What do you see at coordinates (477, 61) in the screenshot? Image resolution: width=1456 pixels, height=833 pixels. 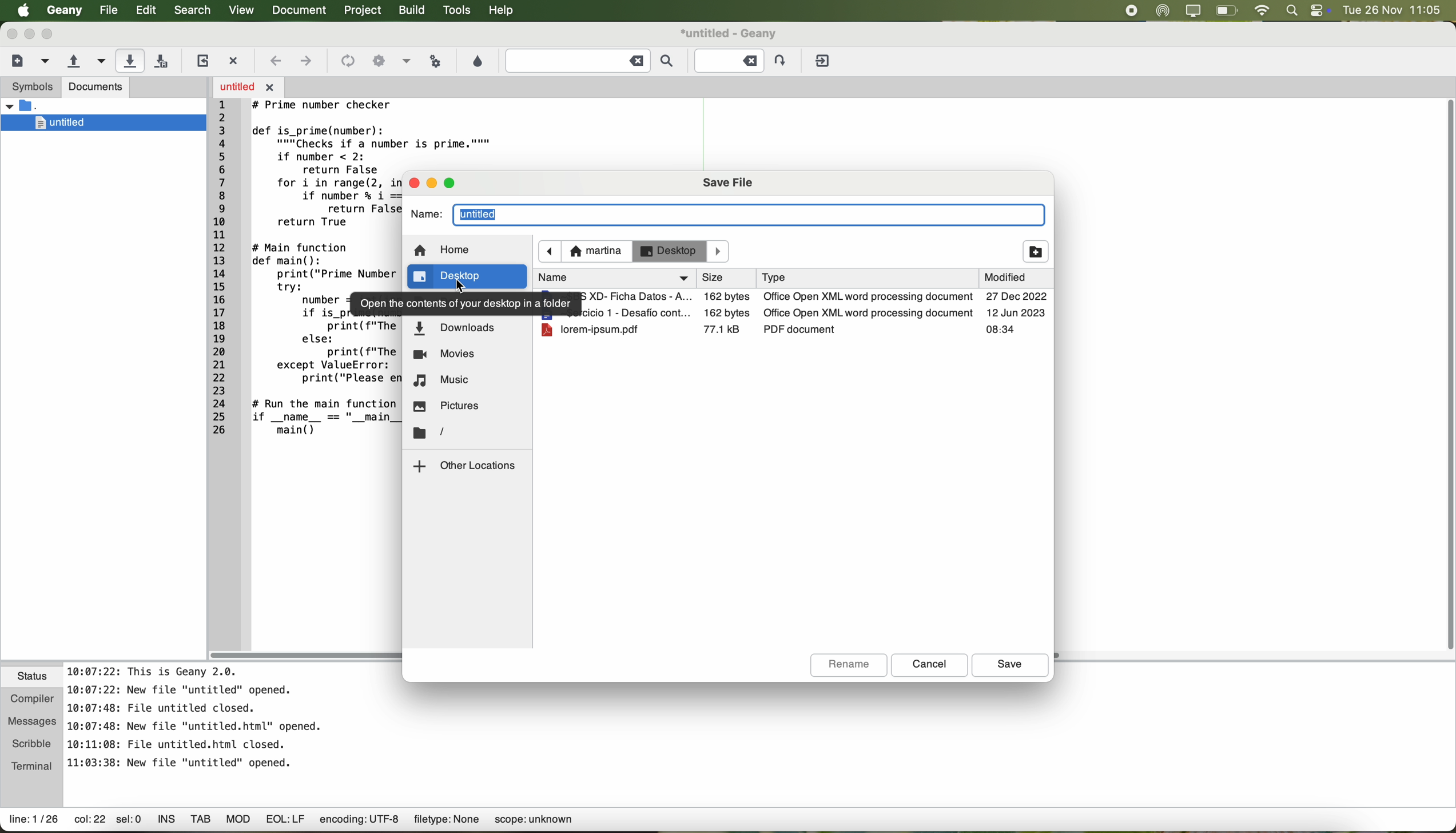 I see `choose color` at bounding box center [477, 61].